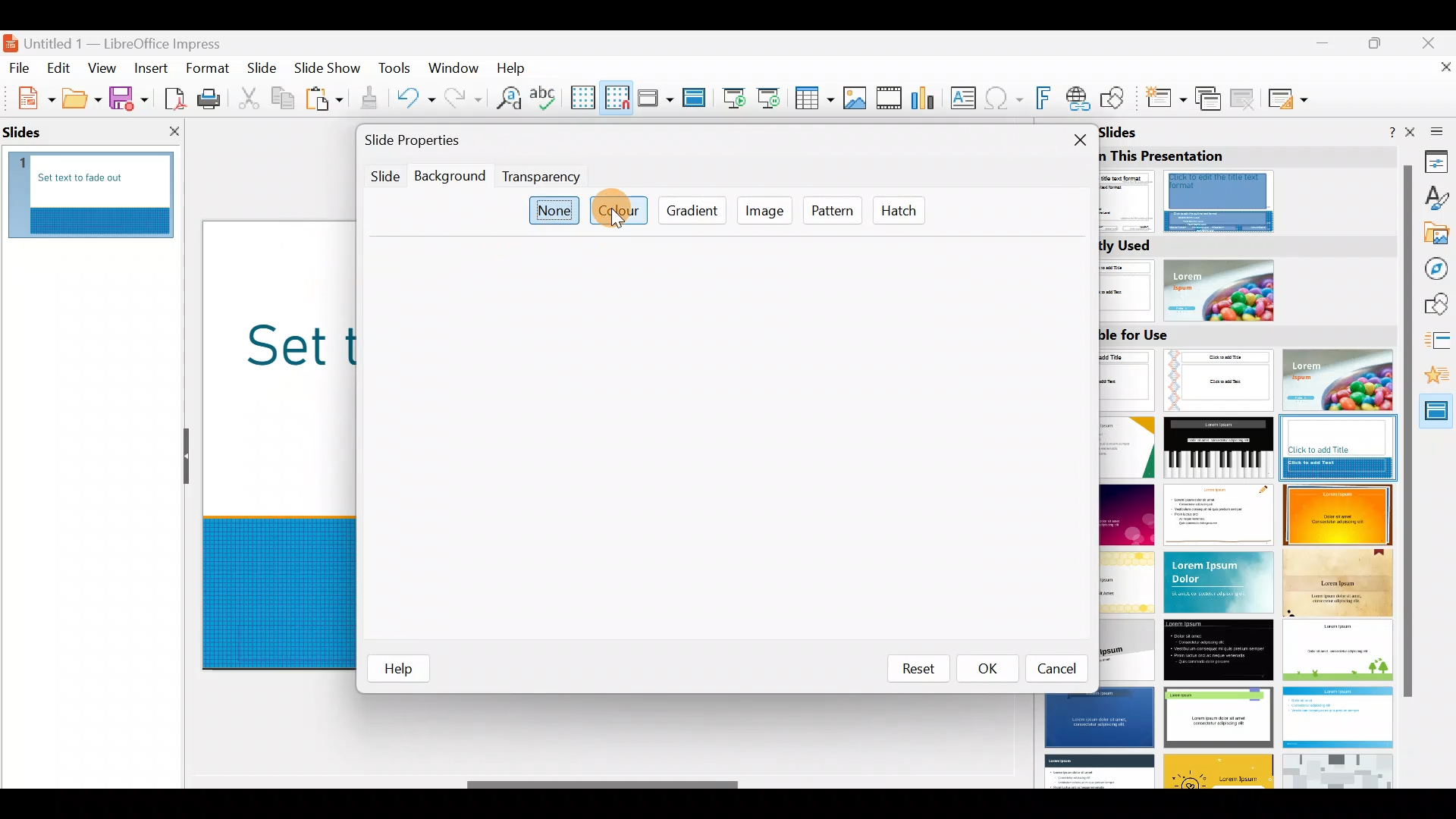  What do you see at coordinates (1407, 432) in the screenshot?
I see `scroll  bar` at bounding box center [1407, 432].